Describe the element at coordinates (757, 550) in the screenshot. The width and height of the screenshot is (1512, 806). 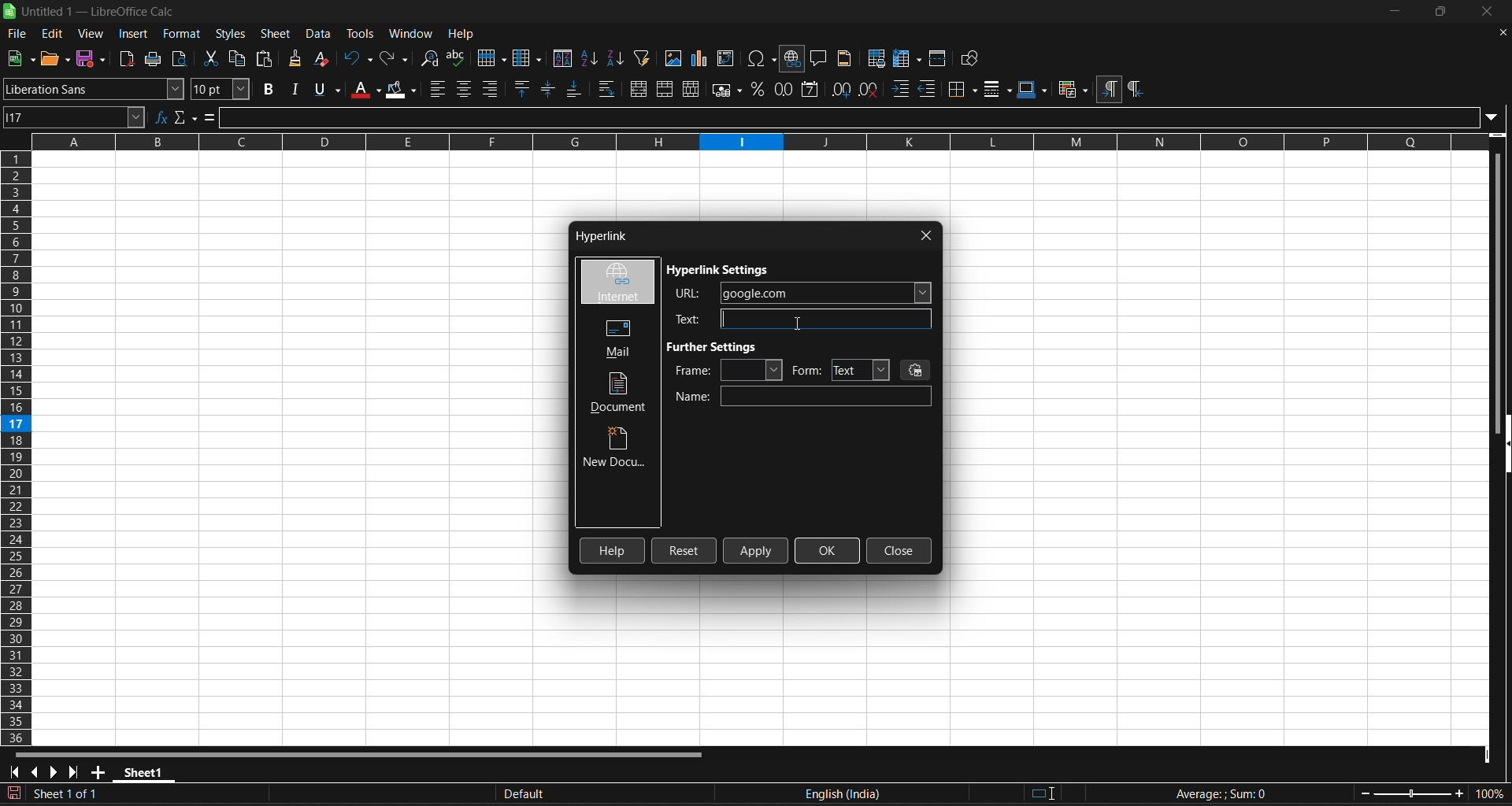
I see `apply` at that location.